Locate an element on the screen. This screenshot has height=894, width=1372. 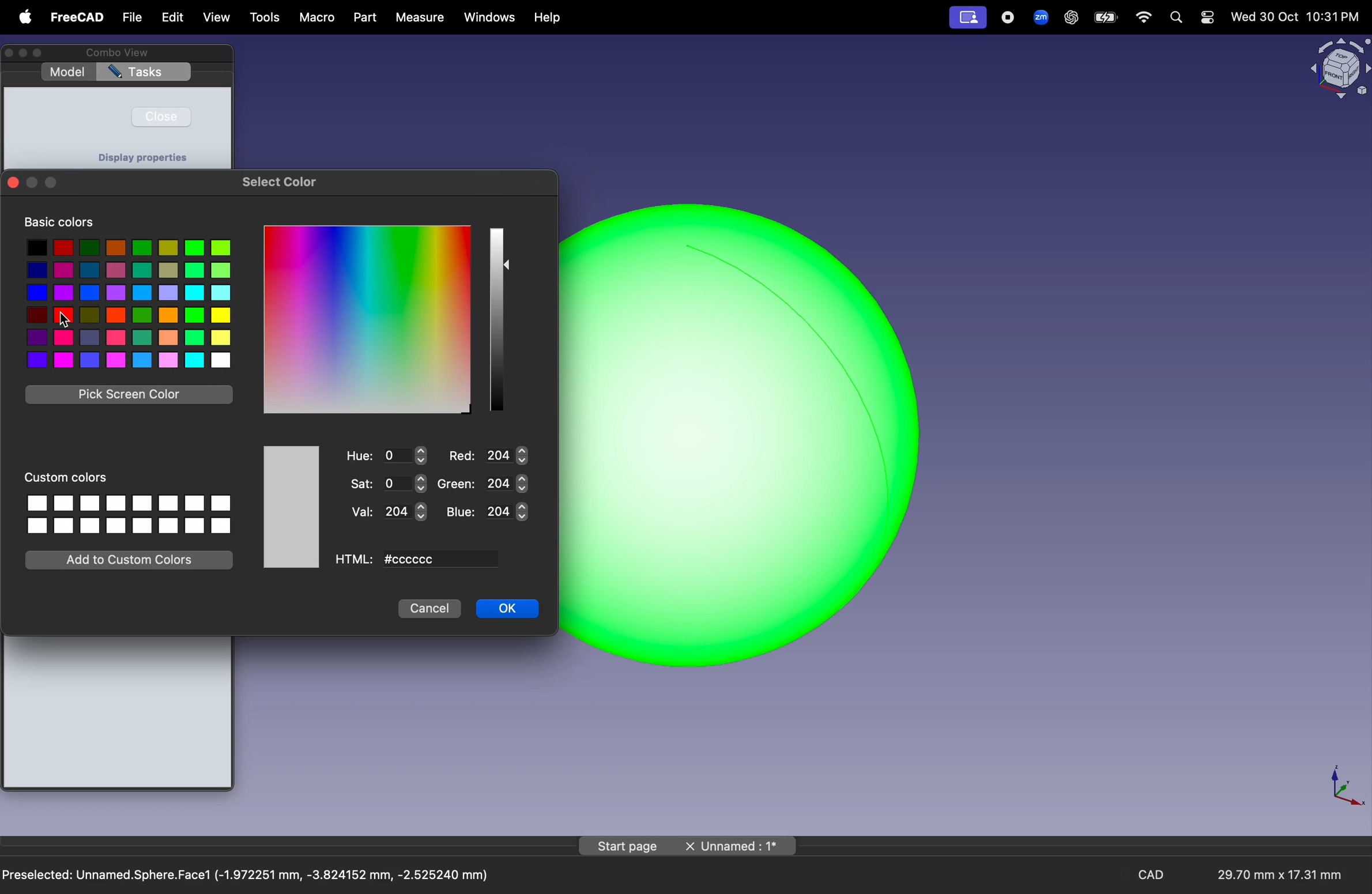
unnamed is located at coordinates (740, 847).